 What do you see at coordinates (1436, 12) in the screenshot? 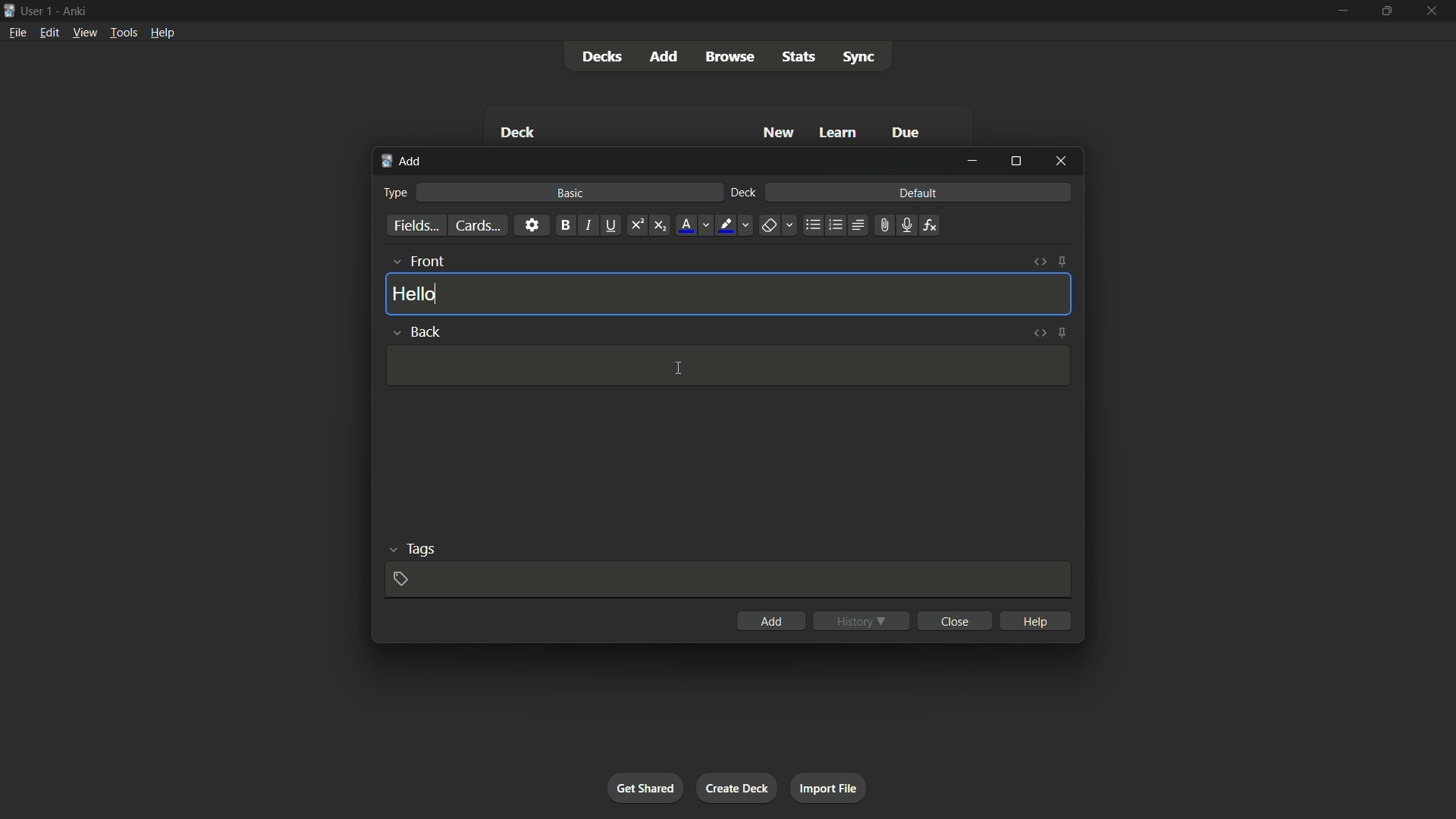
I see `close app` at bounding box center [1436, 12].